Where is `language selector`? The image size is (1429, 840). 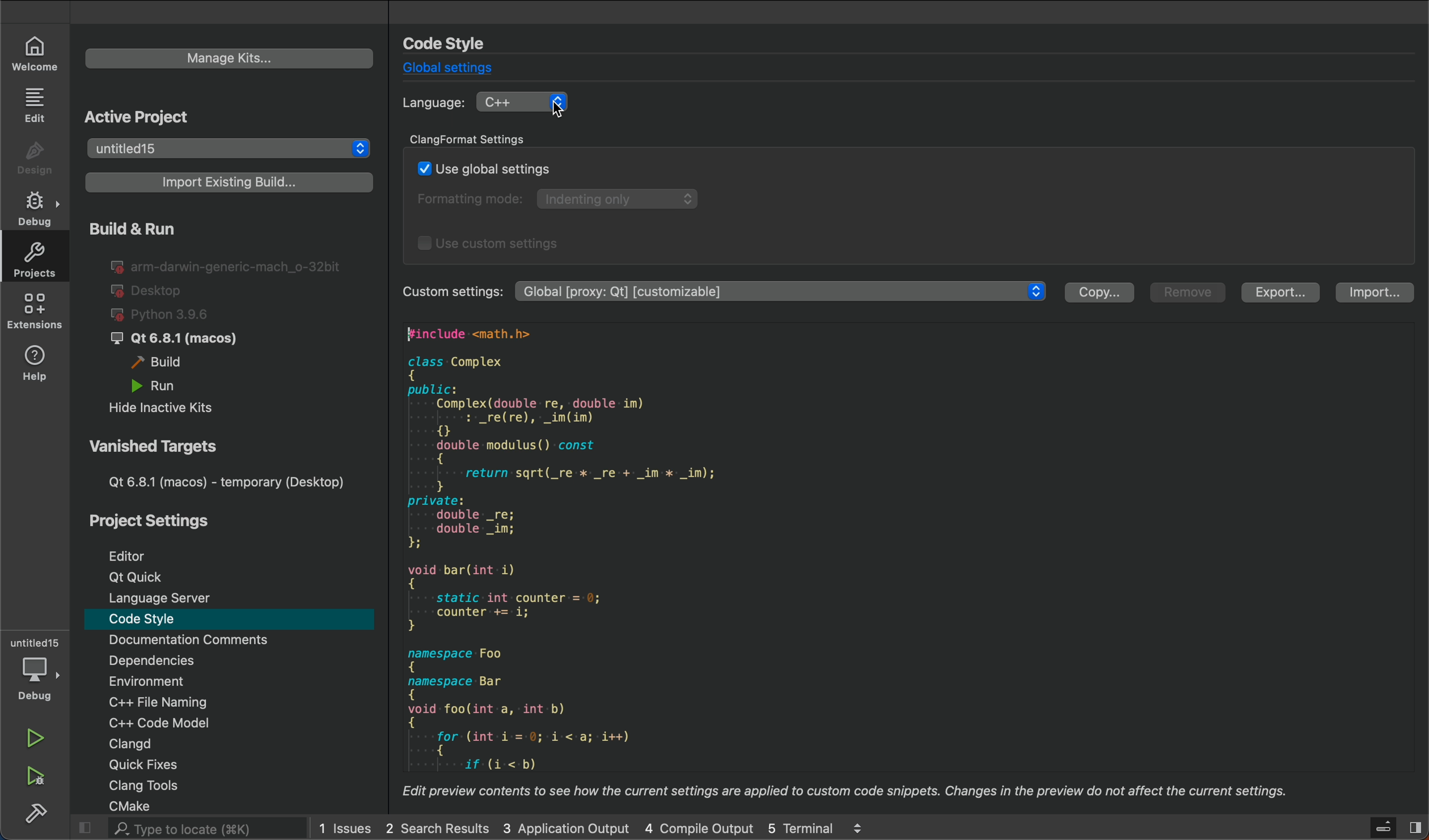 language selector is located at coordinates (531, 101).